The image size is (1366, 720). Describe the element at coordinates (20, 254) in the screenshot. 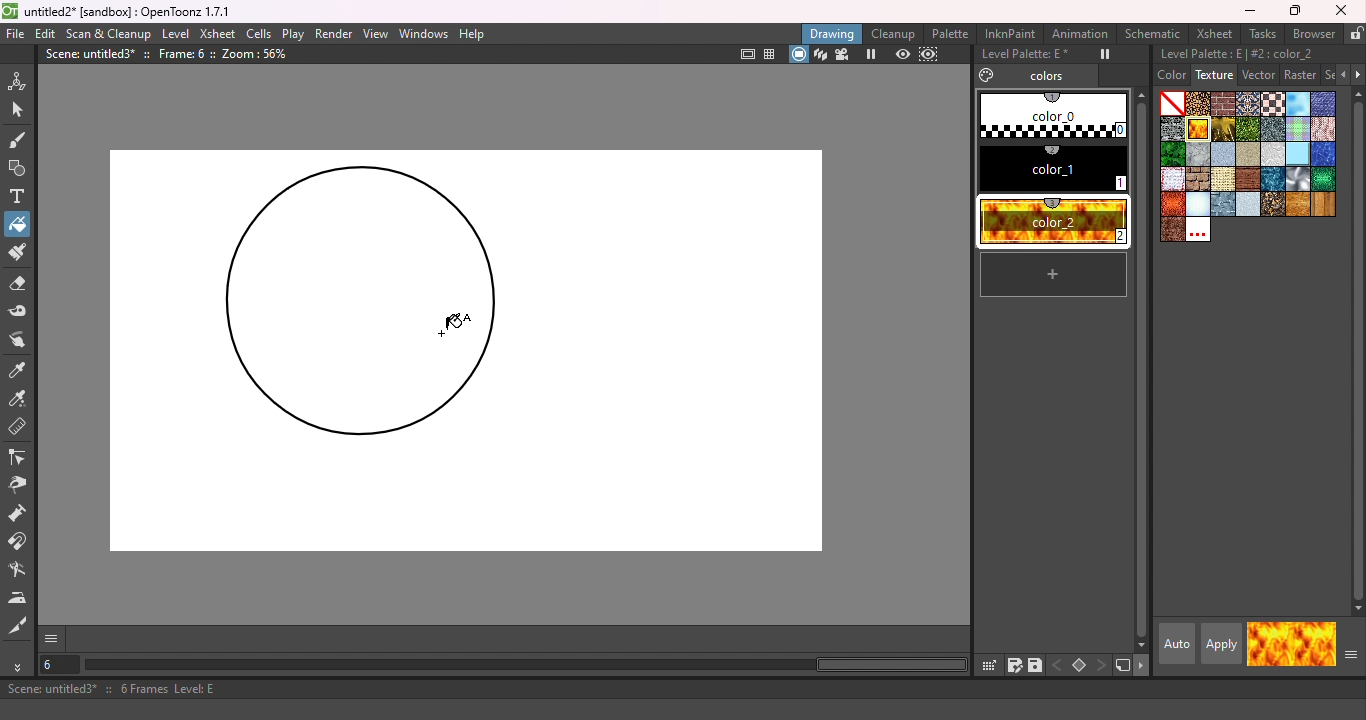

I see `Paint Brush tool` at that location.